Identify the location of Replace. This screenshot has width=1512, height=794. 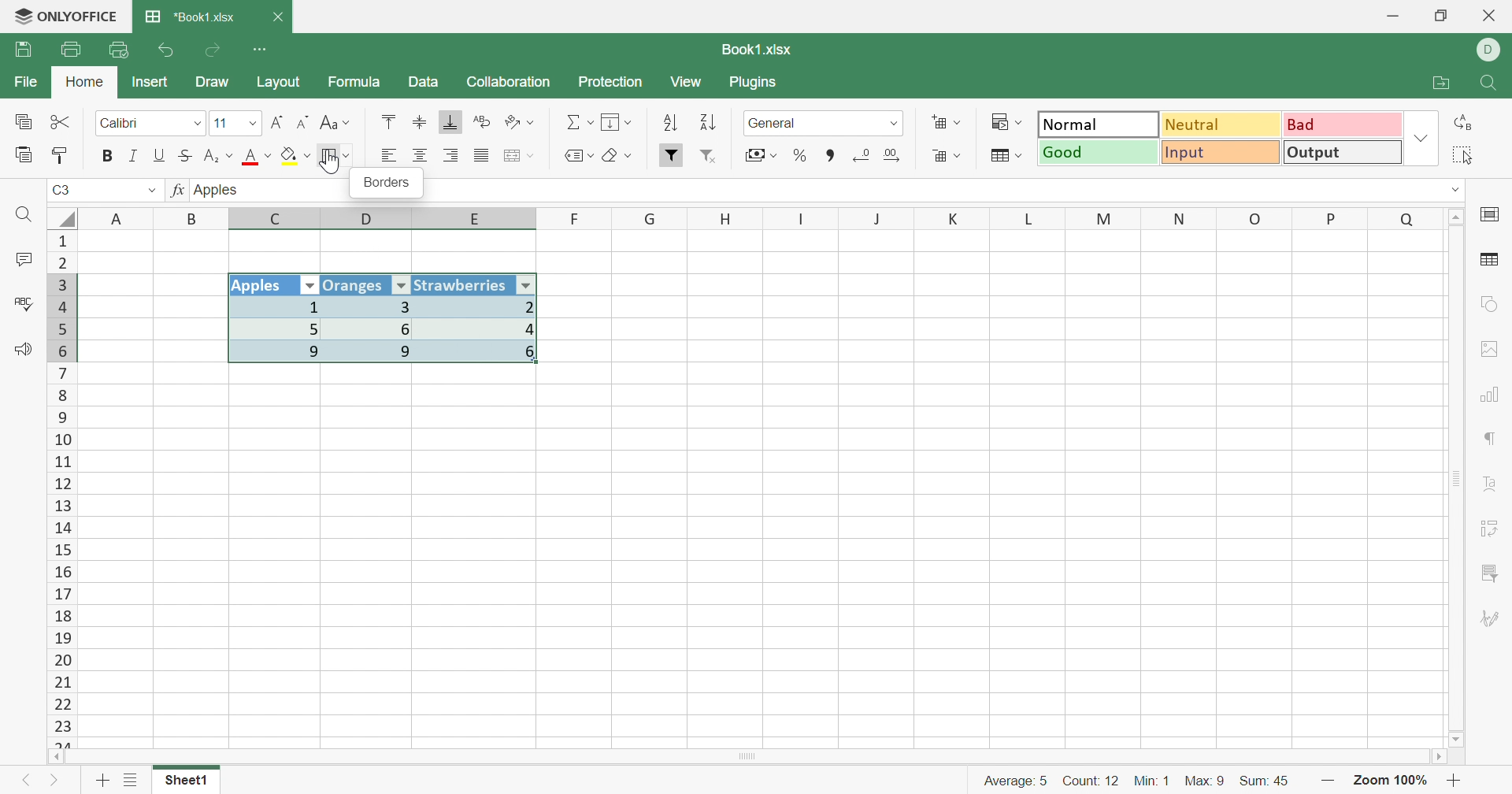
(1467, 122).